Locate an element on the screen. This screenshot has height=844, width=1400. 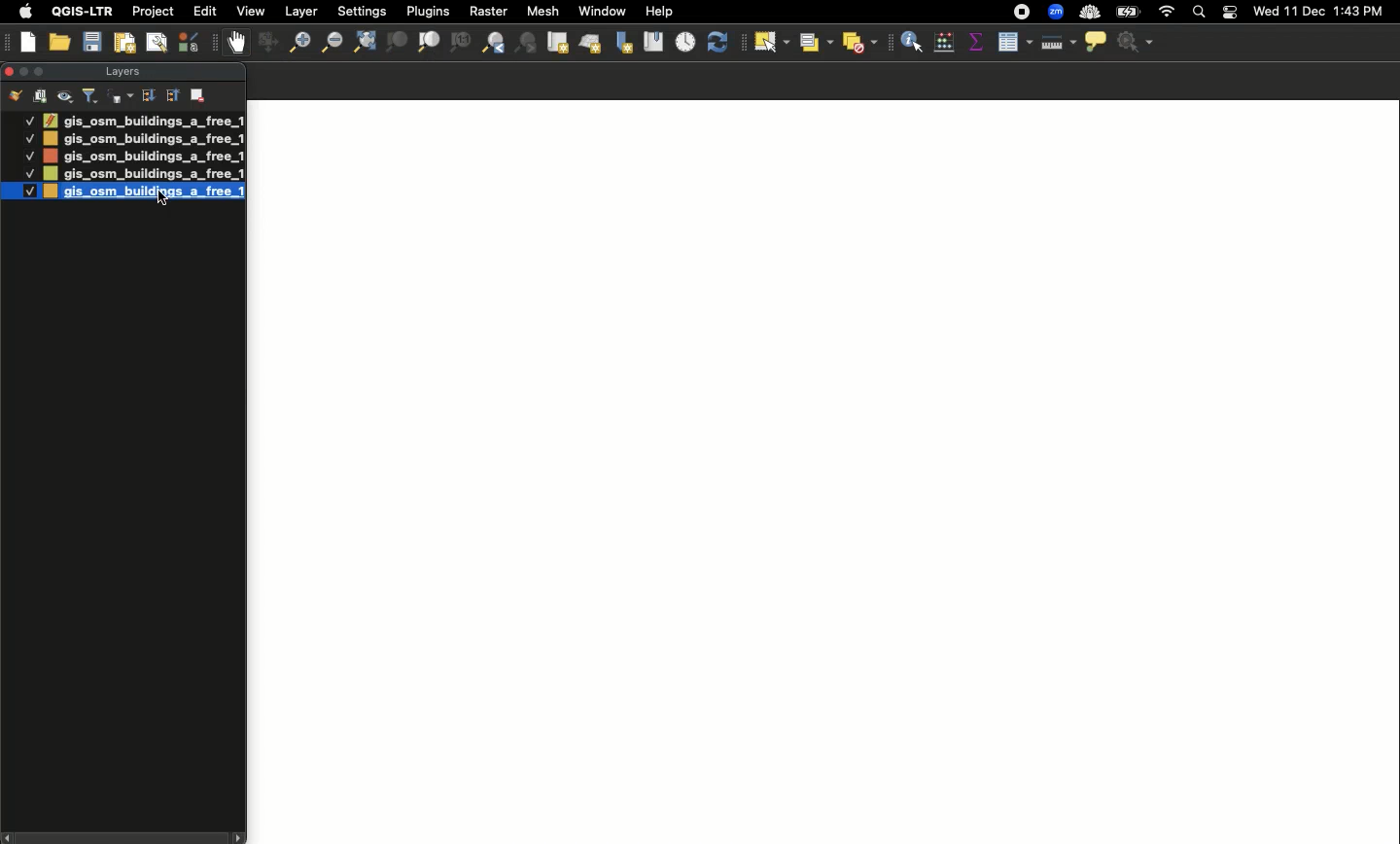
Zoom out is located at coordinates (295, 45).